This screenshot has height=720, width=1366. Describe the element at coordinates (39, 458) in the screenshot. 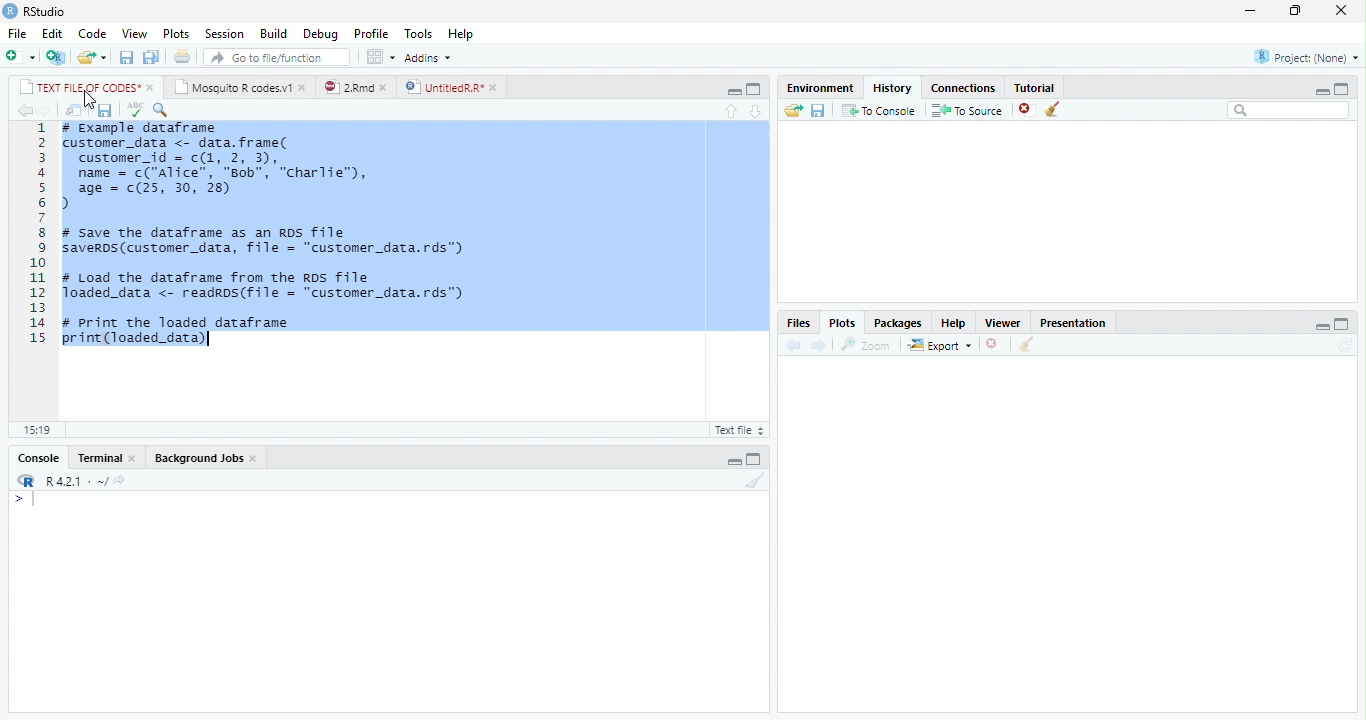

I see `Console` at that location.